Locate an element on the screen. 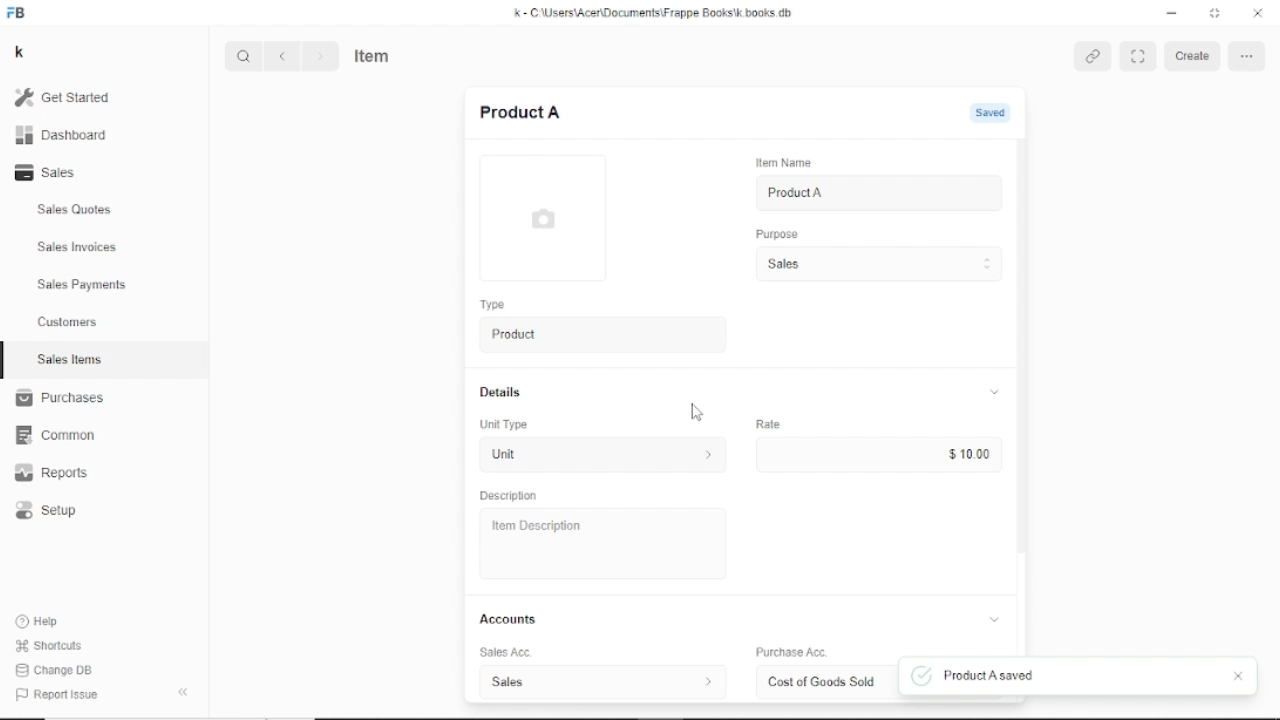  Sales Quotes is located at coordinates (76, 210).